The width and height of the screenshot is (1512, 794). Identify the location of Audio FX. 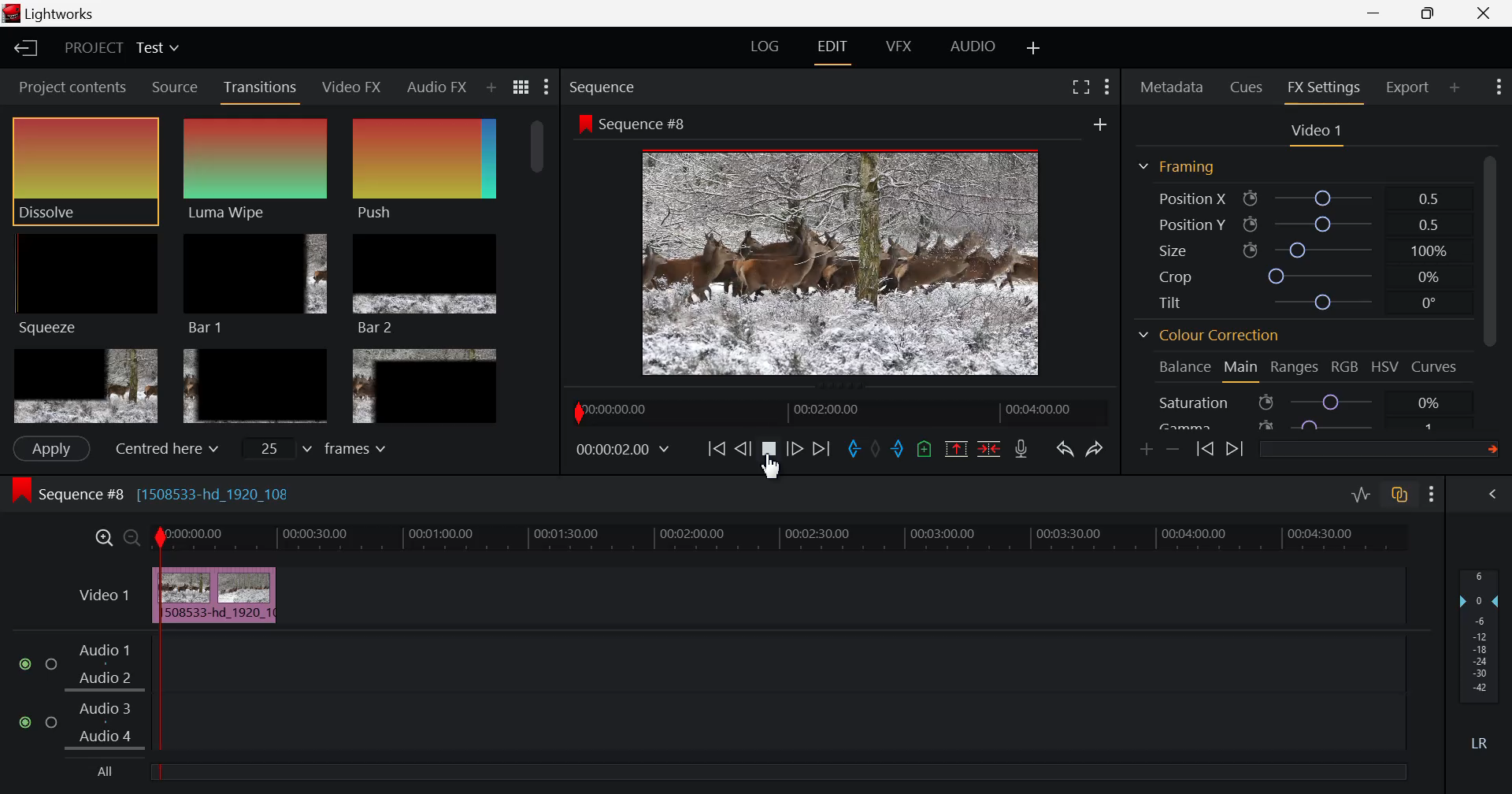
(435, 88).